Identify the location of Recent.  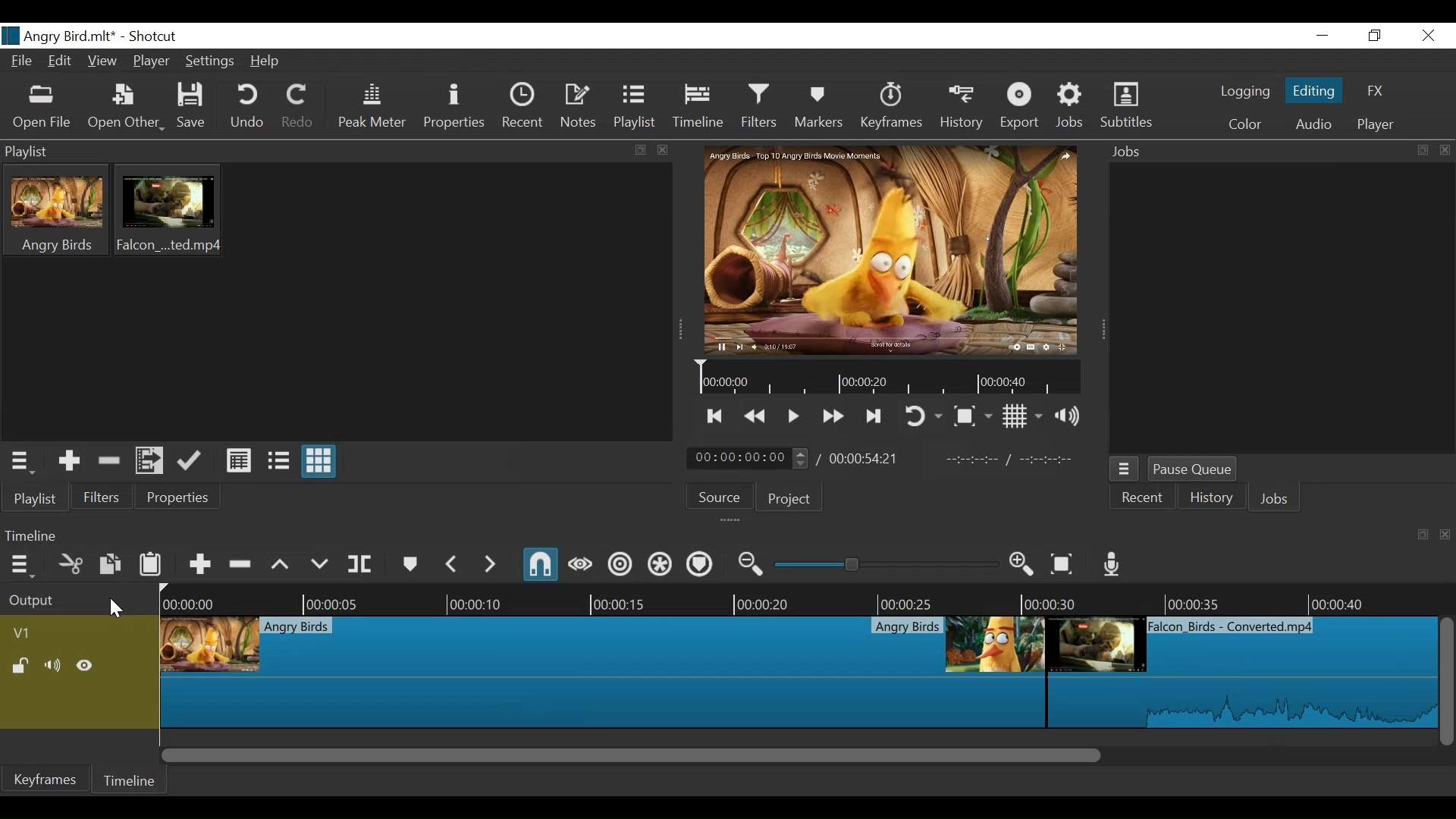
(524, 106).